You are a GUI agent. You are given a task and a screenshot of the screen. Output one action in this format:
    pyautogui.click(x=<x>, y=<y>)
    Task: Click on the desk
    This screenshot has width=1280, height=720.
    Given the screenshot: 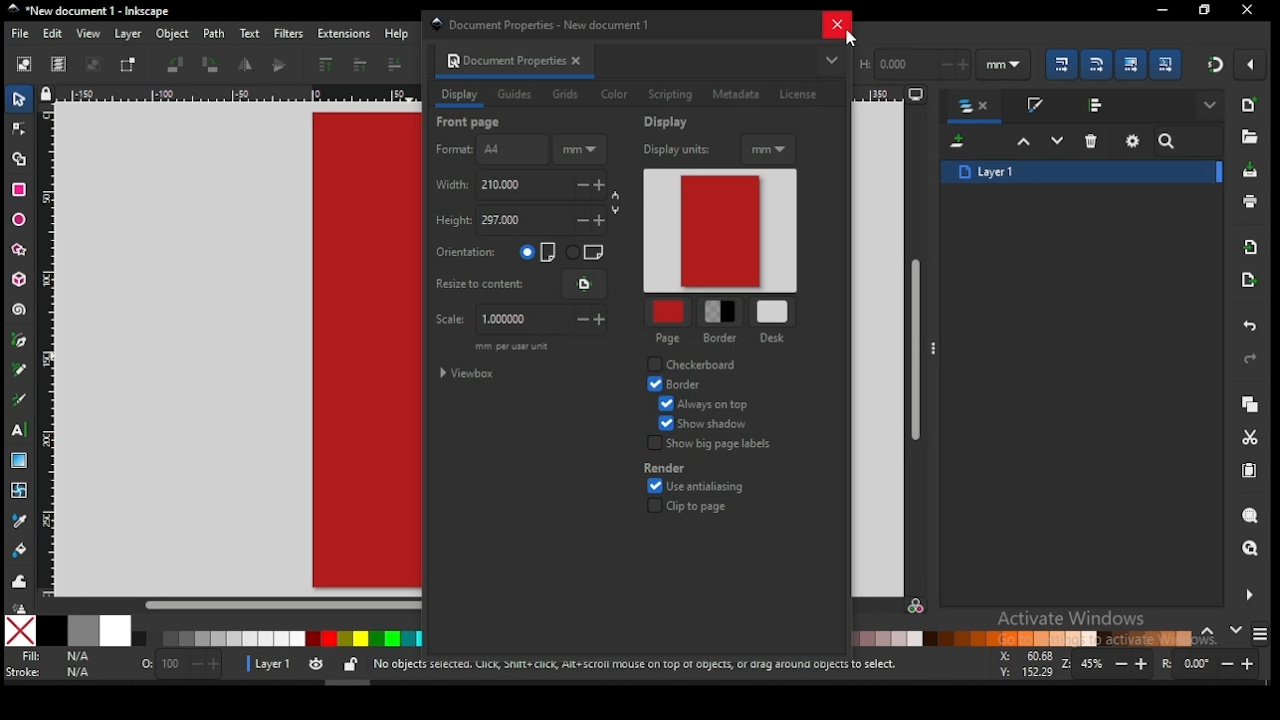 What is the action you would take?
    pyautogui.click(x=775, y=338)
    